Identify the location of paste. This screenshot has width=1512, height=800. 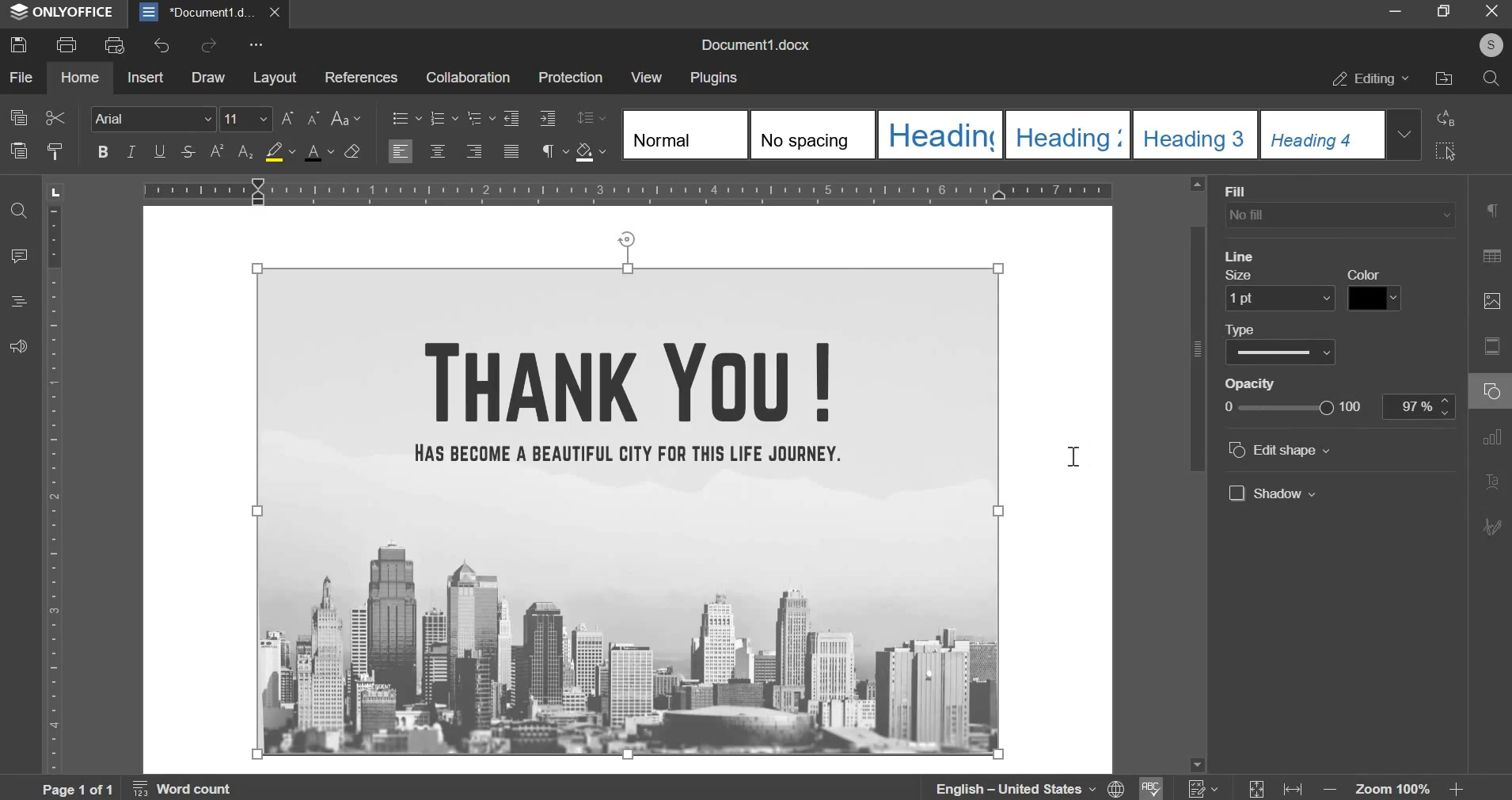
(19, 150).